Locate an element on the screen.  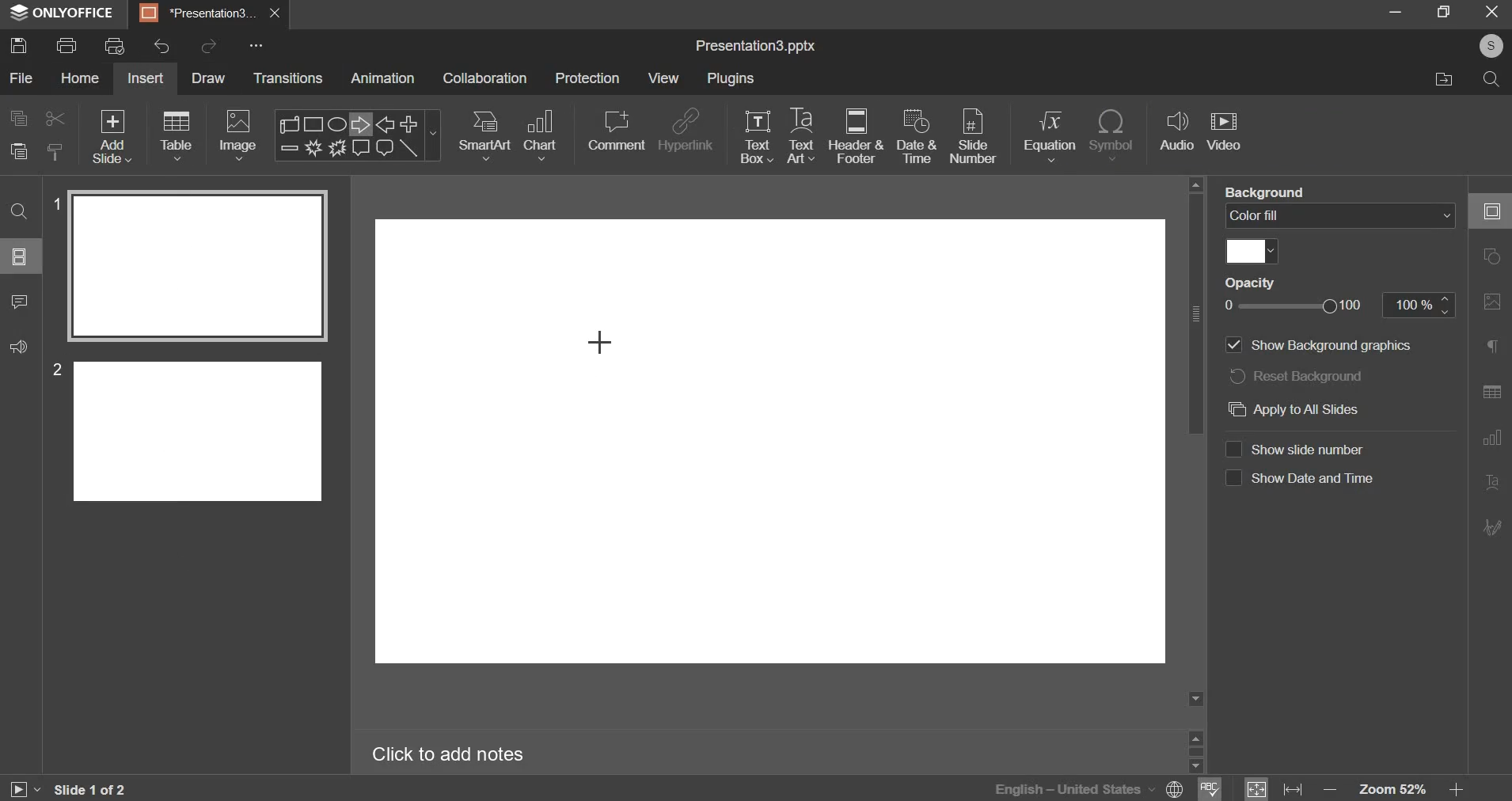
paste is located at coordinates (56, 150).